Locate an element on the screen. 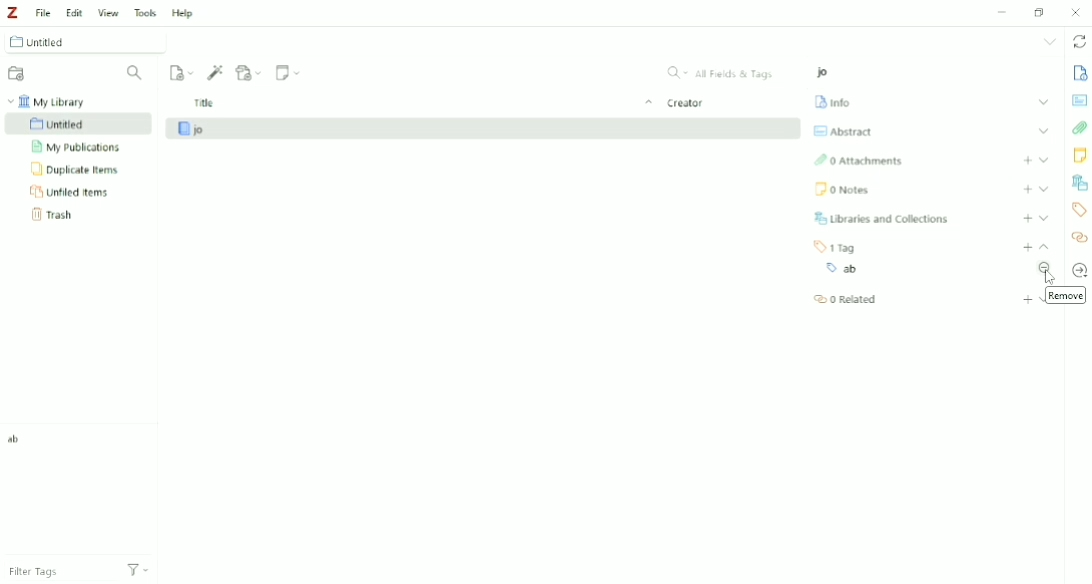 Image resolution: width=1092 pixels, height=584 pixels. Info is located at coordinates (1080, 74).